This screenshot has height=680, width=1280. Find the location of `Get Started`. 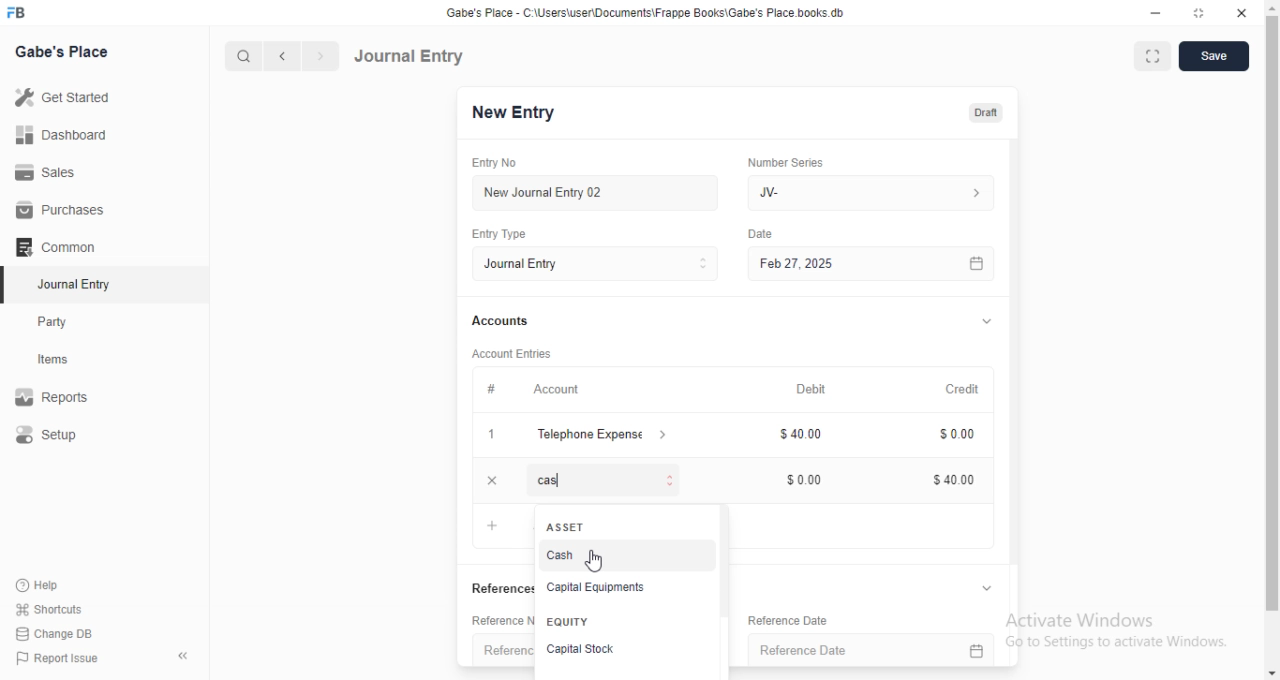

Get Started is located at coordinates (66, 97).